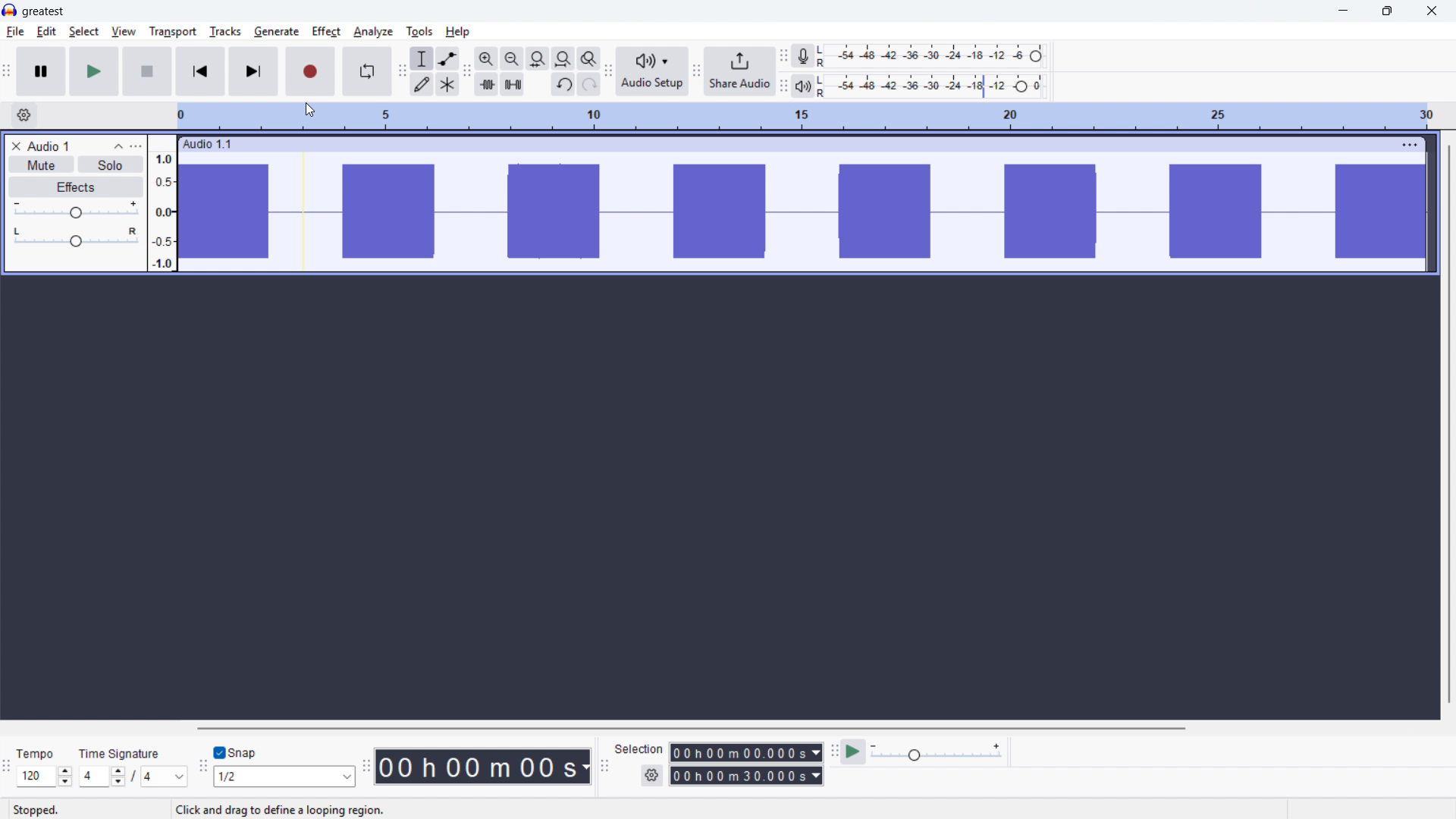  I want to click on select, so click(83, 31).